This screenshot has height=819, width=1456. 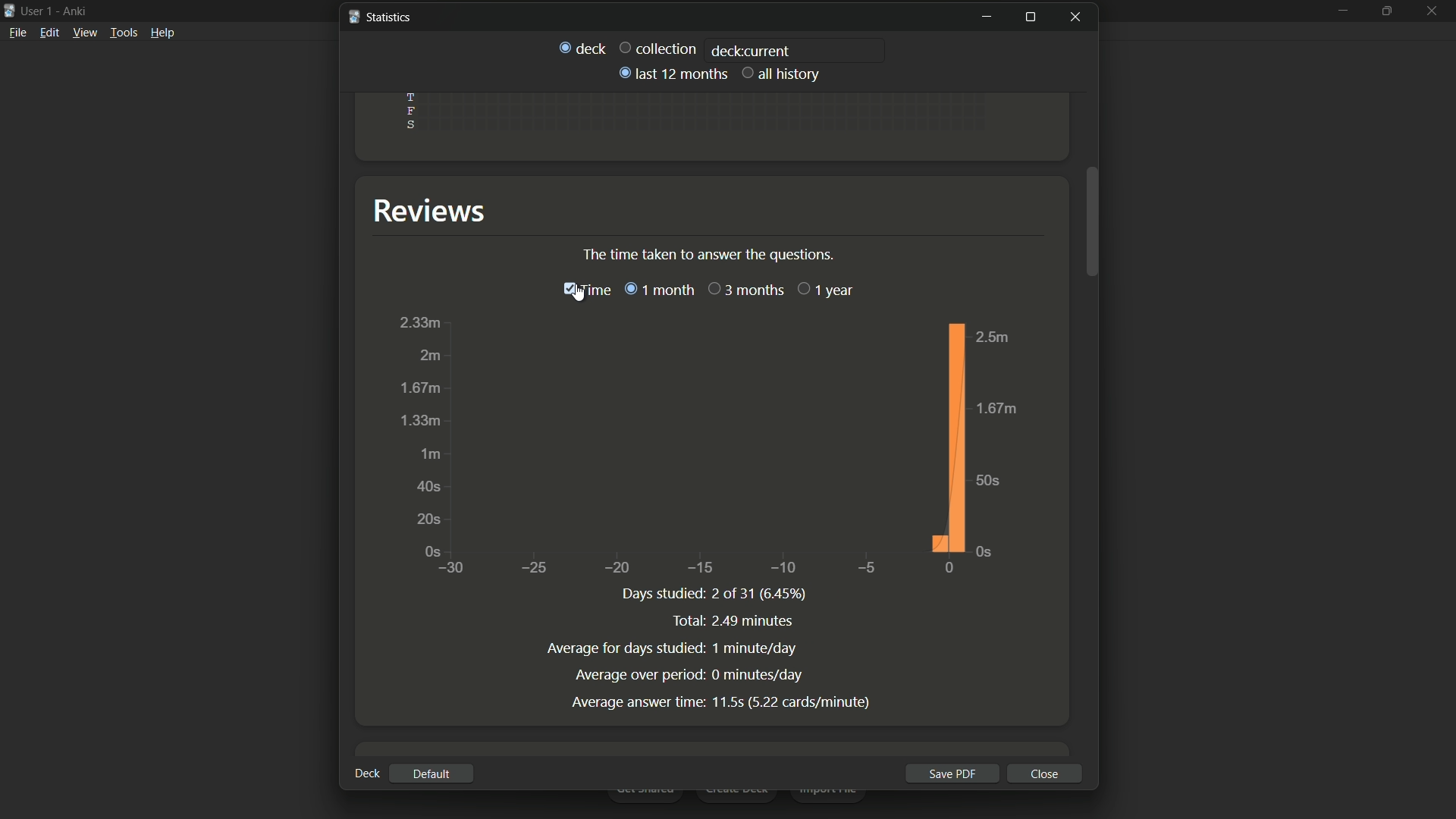 What do you see at coordinates (711, 254) in the screenshot?
I see `the number of questions you have answered` at bounding box center [711, 254].